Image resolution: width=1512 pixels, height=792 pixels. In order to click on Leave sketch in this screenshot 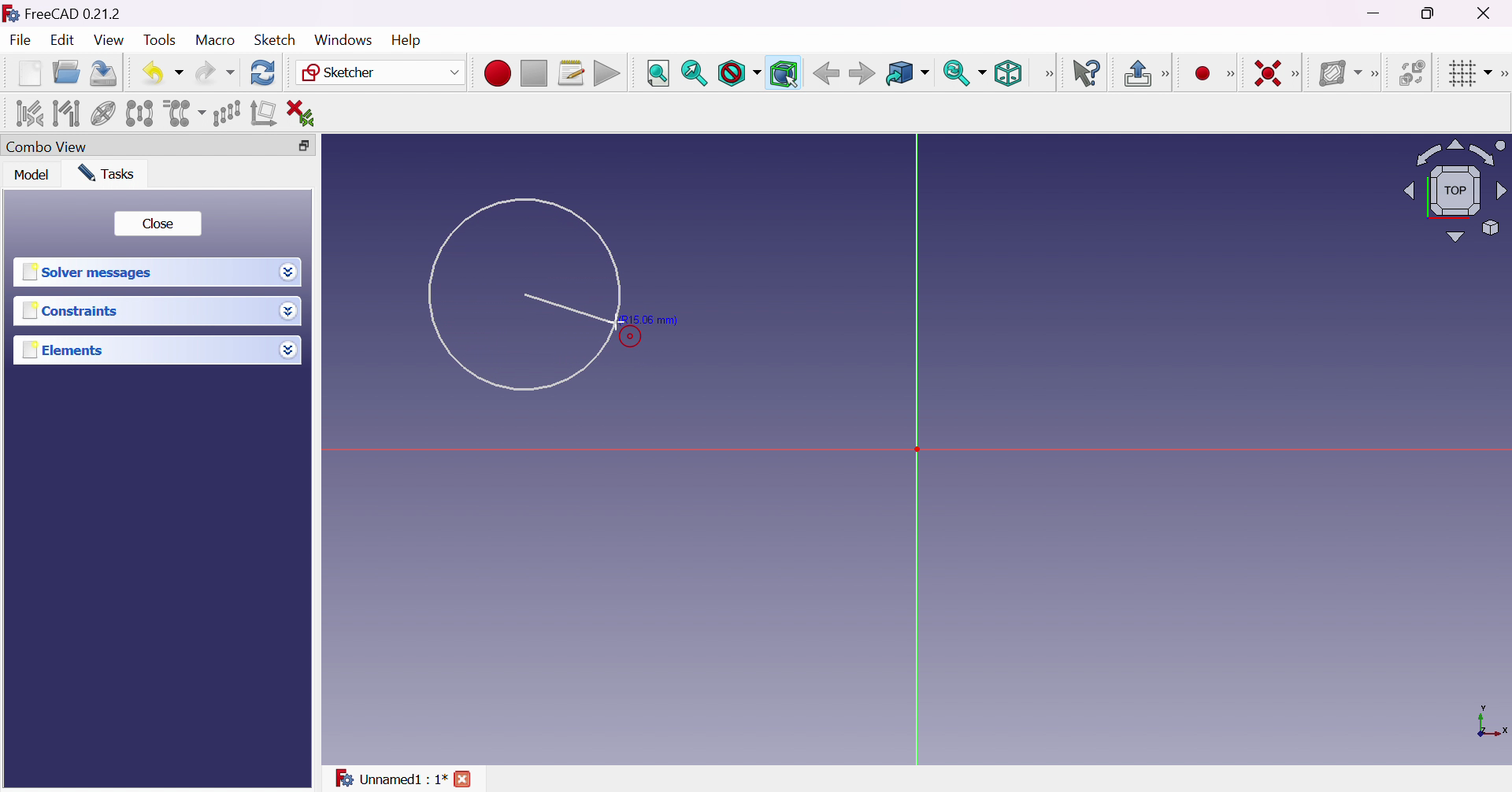, I will do `click(1147, 73)`.